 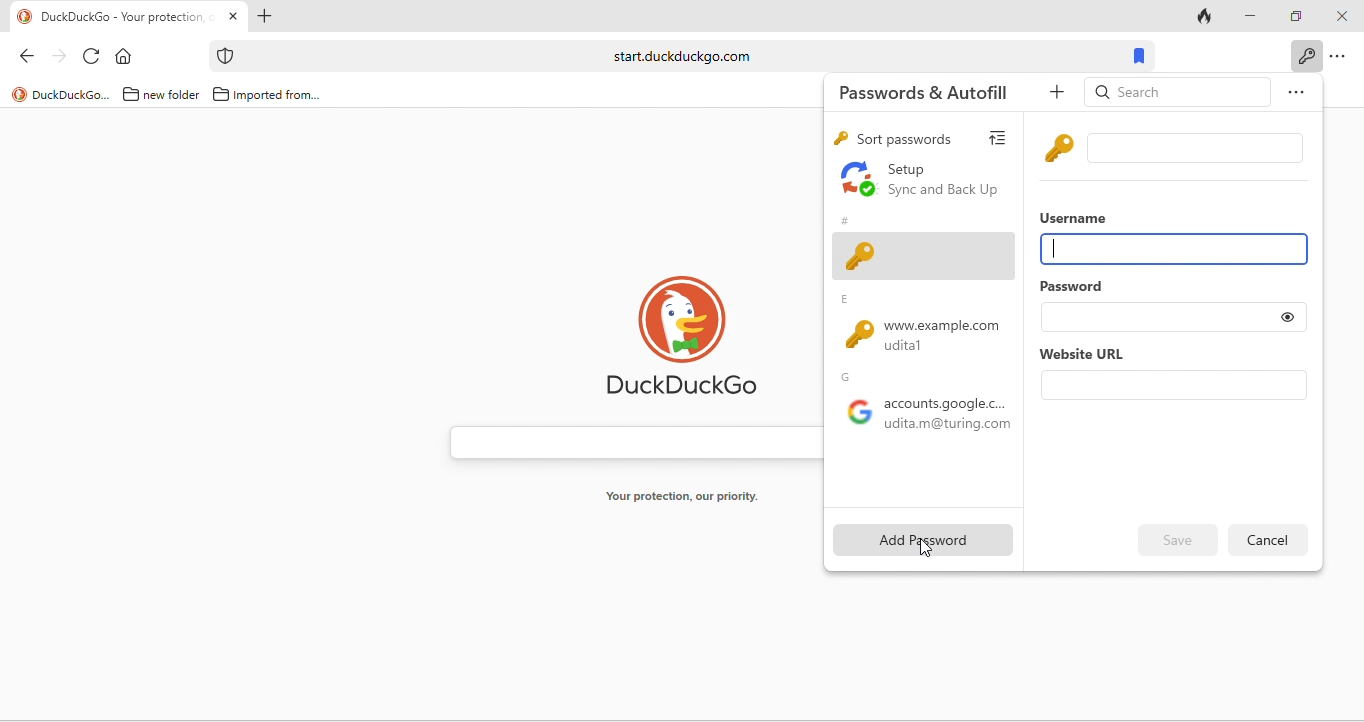 What do you see at coordinates (227, 56) in the screenshot?
I see `icon` at bounding box center [227, 56].